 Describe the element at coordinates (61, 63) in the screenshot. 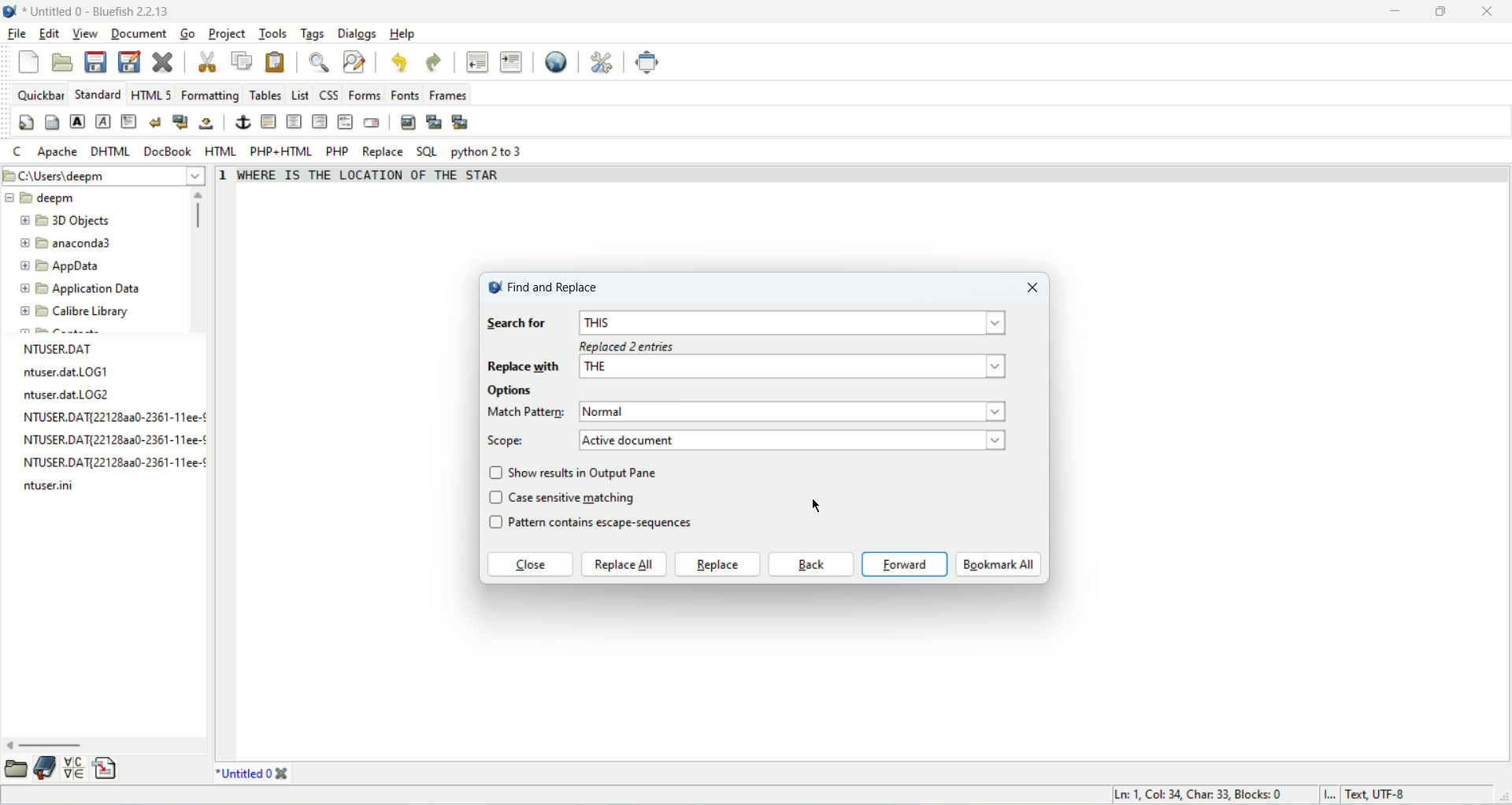

I see `open file` at that location.